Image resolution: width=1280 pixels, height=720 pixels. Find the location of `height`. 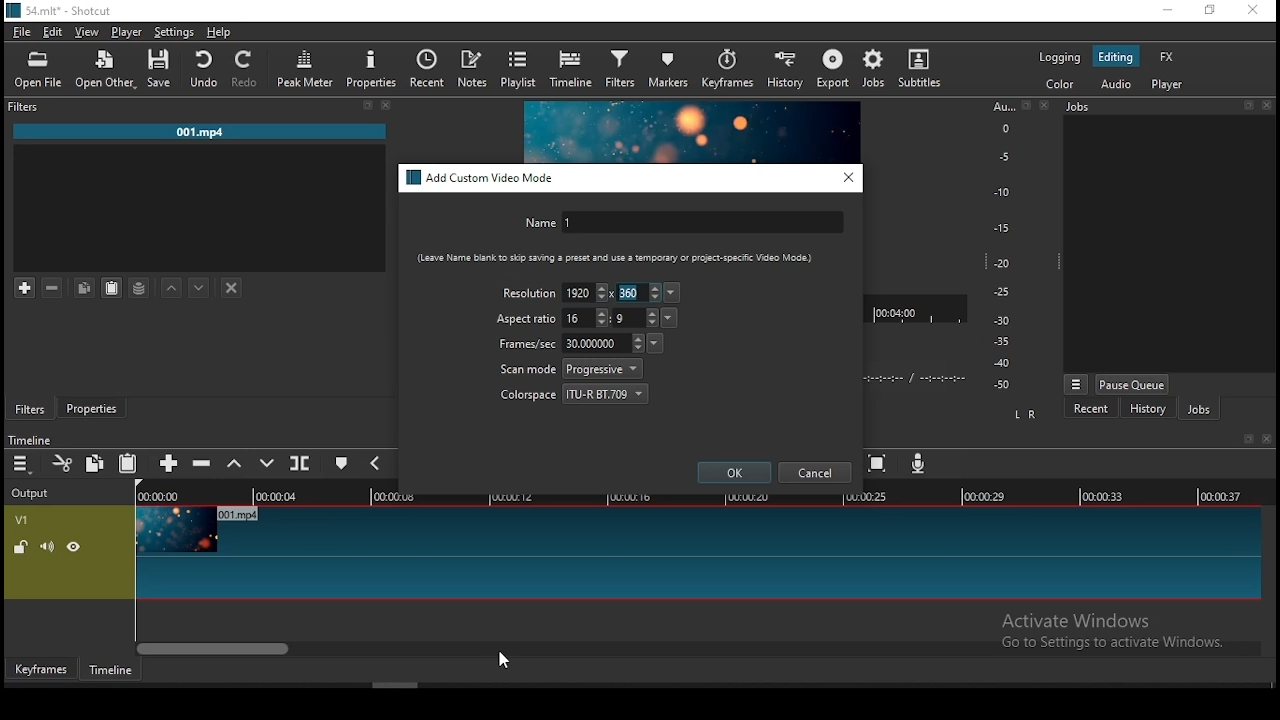

height is located at coordinates (636, 292).